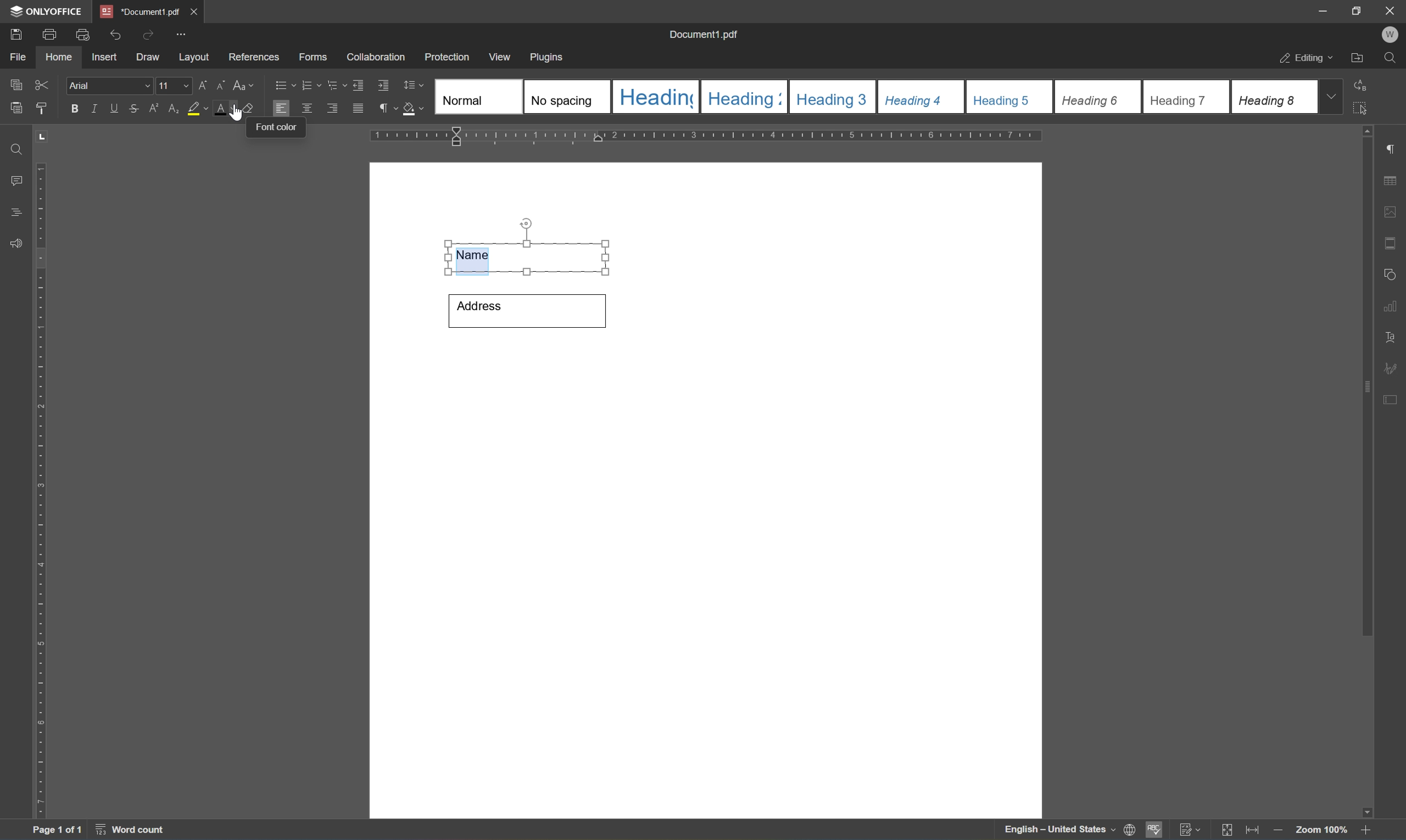 This screenshot has width=1406, height=840. I want to click on word count, so click(128, 831).